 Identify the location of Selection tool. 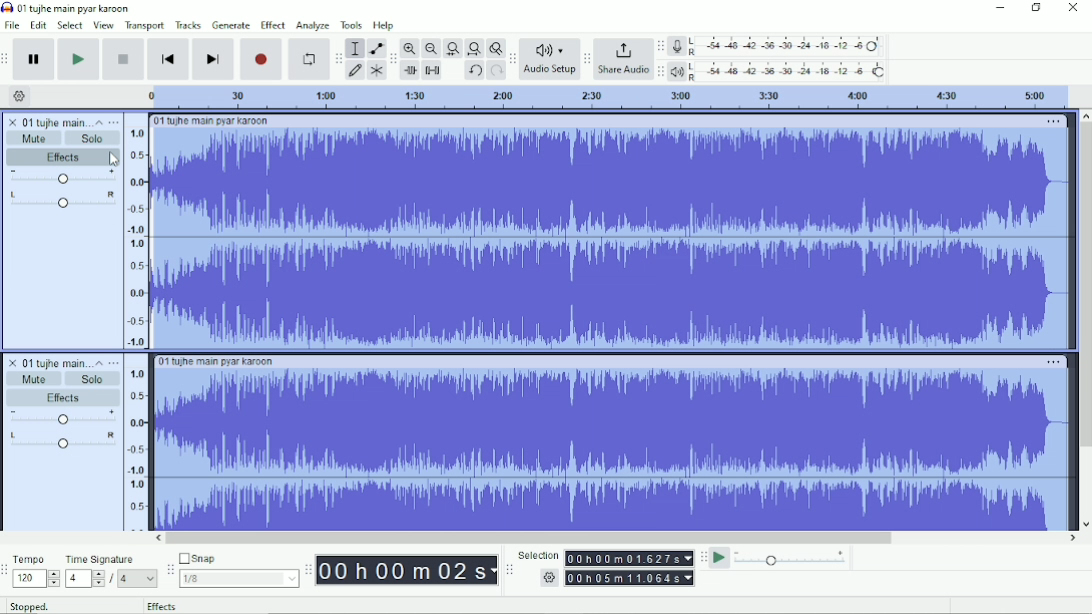
(355, 48).